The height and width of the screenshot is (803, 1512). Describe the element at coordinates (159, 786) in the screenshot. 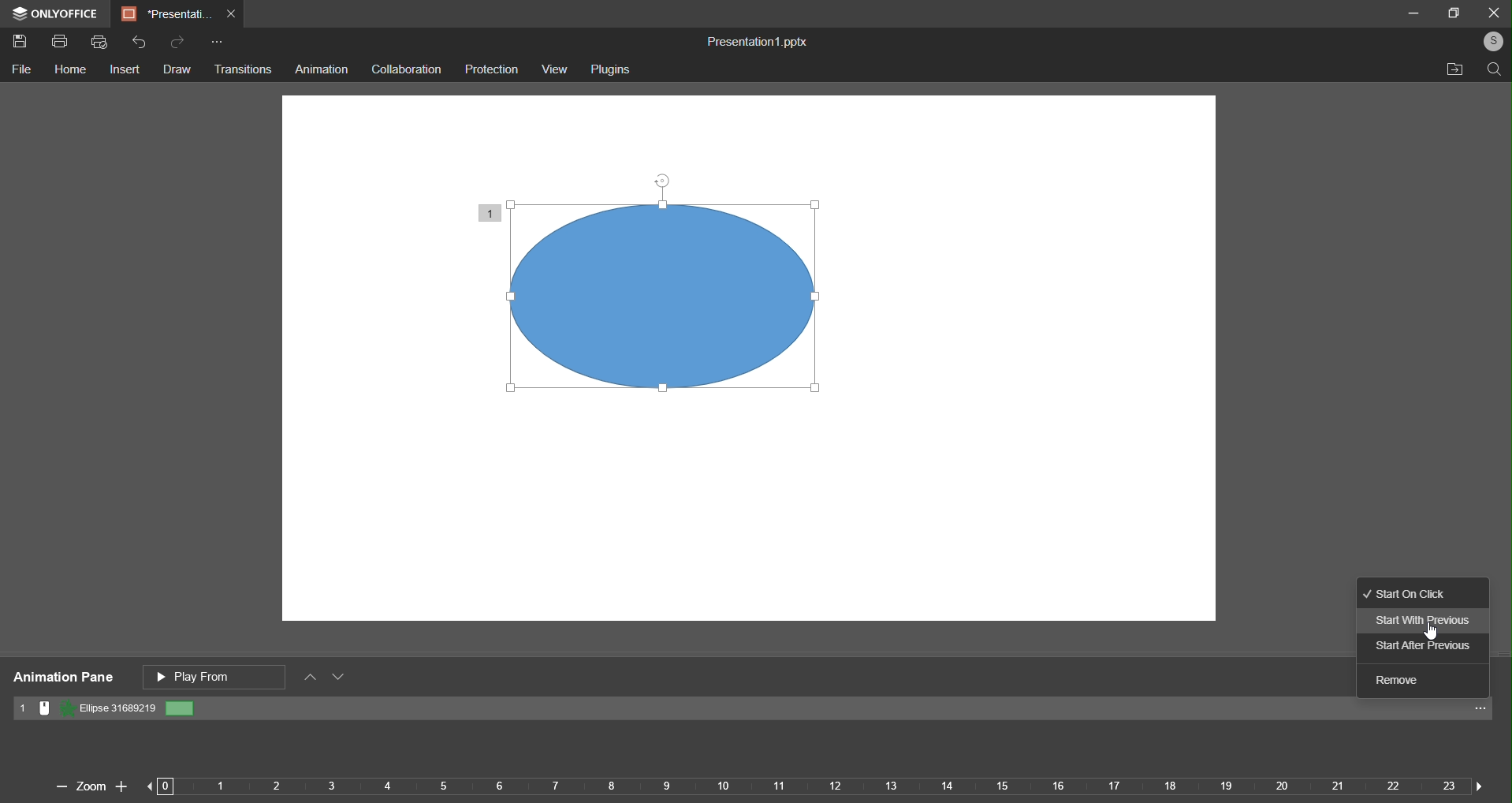

I see `previous` at that location.